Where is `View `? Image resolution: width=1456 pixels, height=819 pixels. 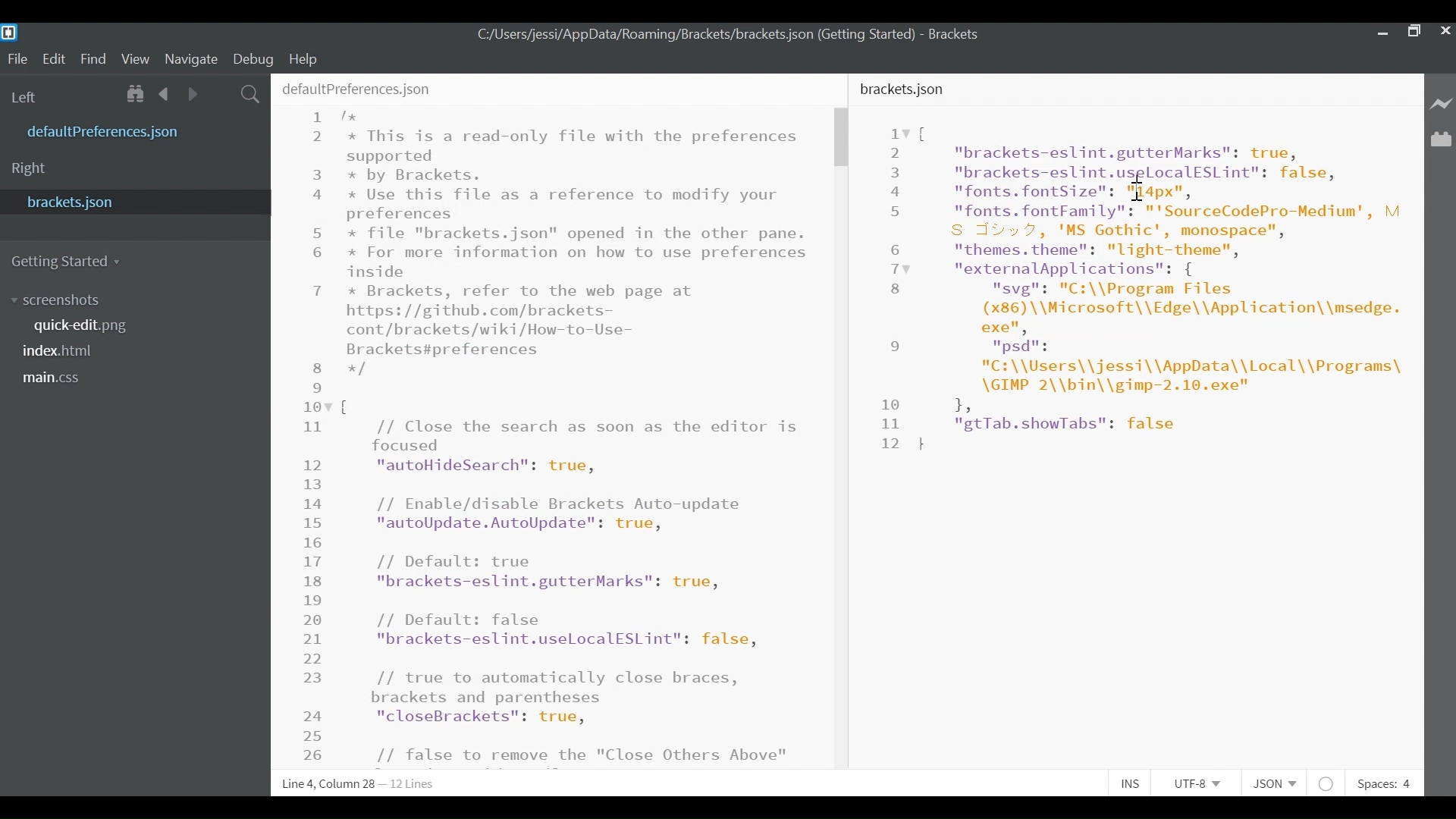
View  is located at coordinates (136, 58).